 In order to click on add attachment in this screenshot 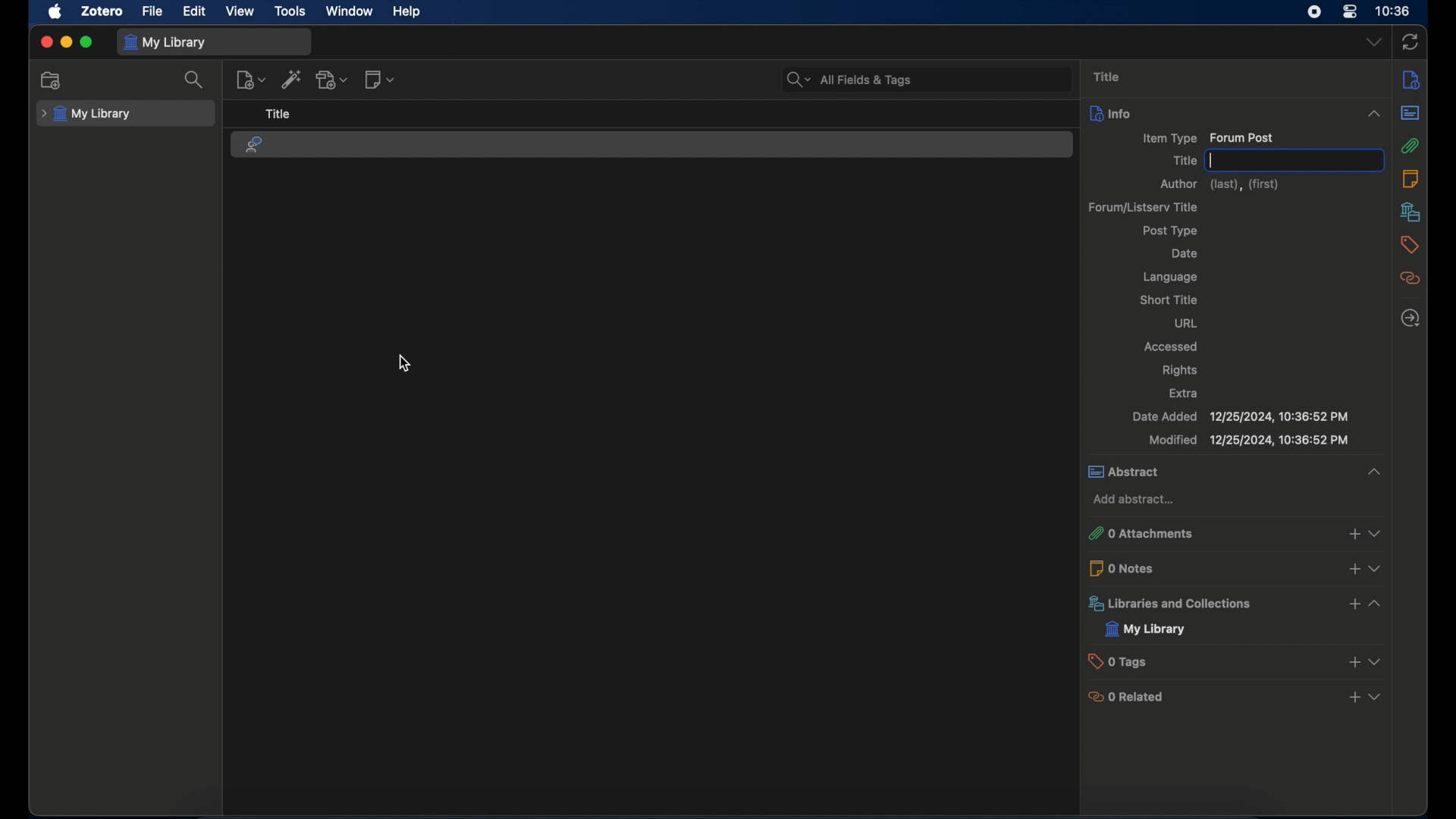, I will do `click(333, 79)`.